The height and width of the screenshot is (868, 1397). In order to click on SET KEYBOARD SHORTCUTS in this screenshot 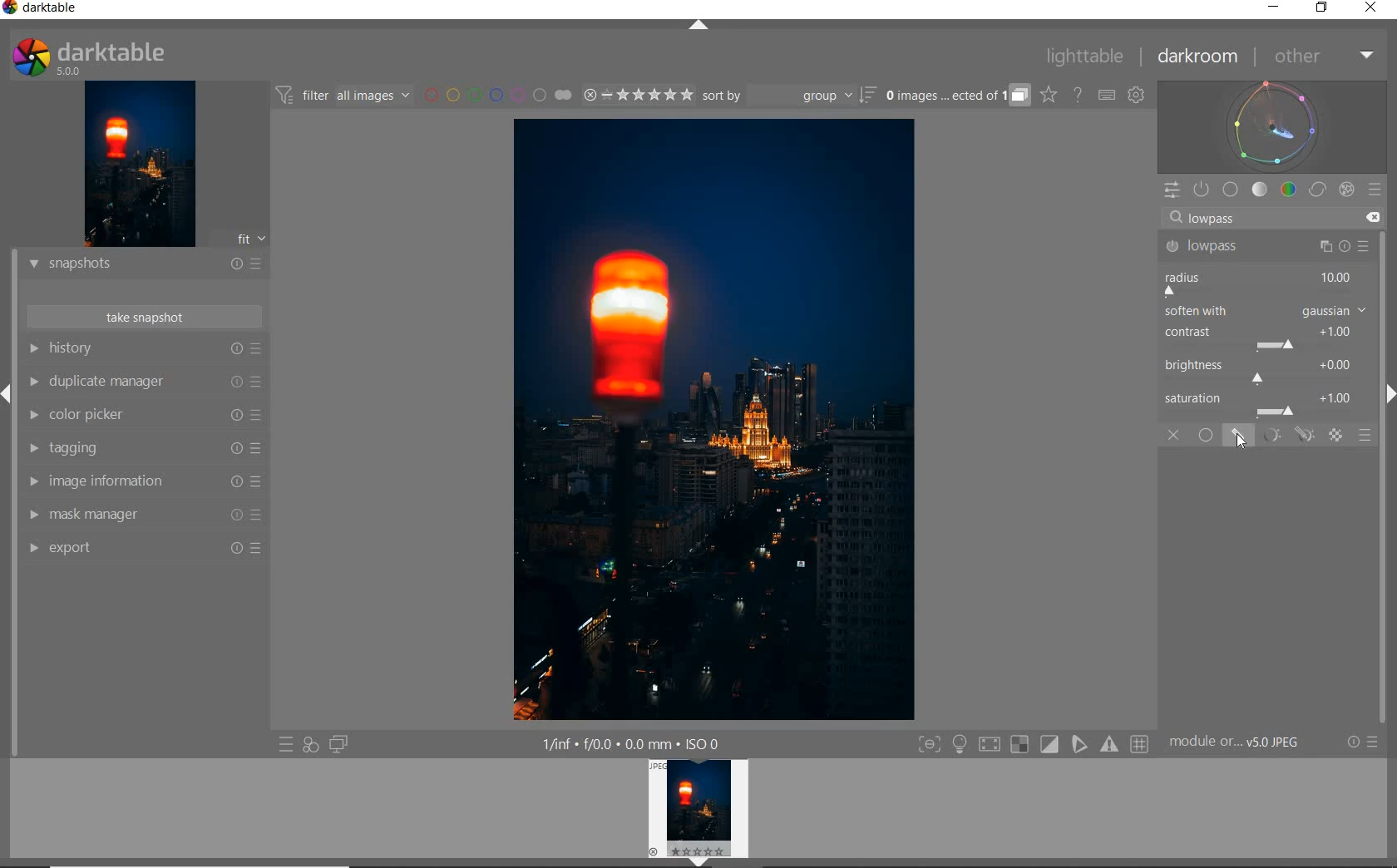, I will do `click(1107, 95)`.